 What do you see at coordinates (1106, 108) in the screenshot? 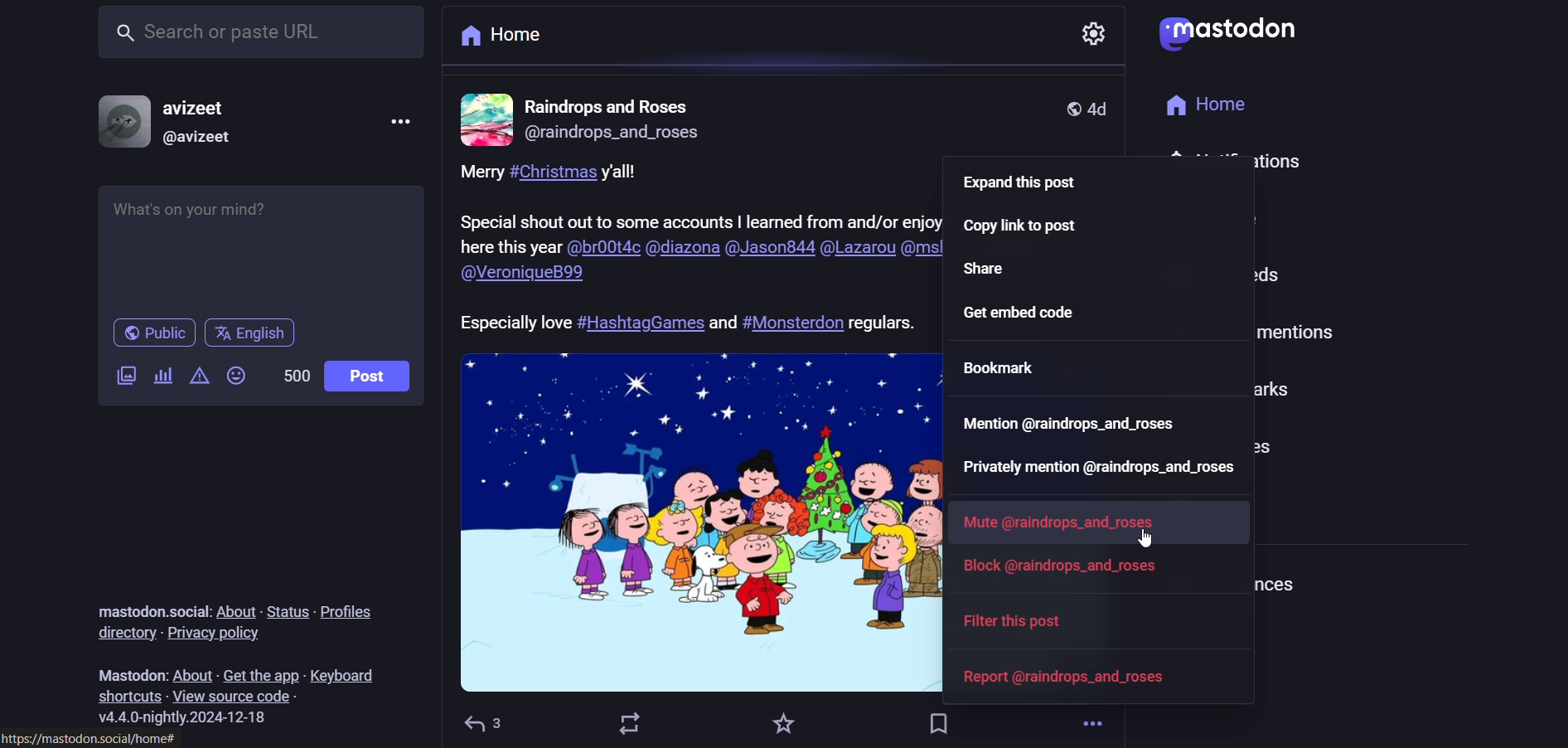
I see `time posted` at bounding box center [1106, 108].